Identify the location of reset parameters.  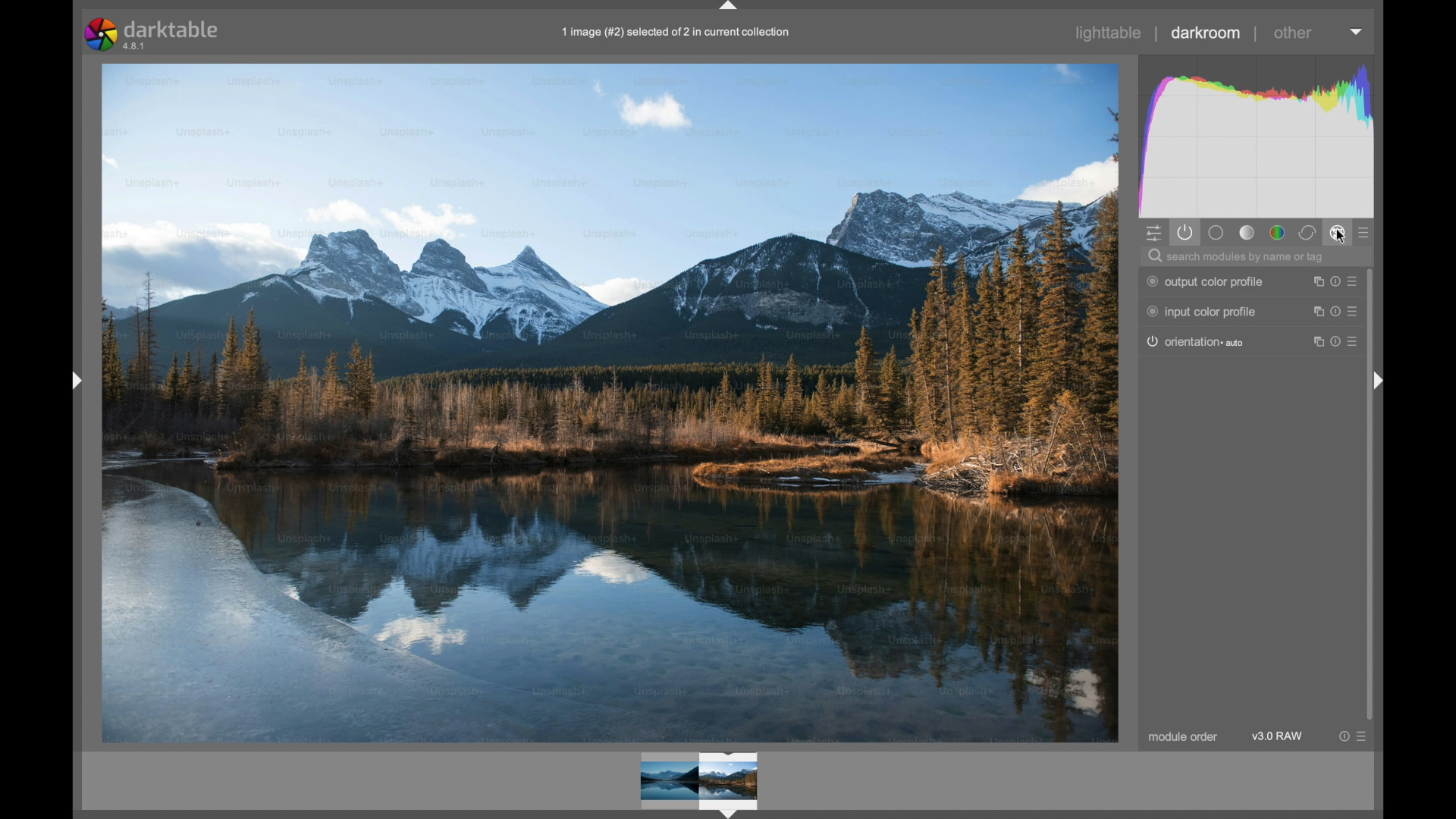
(1313, 281).